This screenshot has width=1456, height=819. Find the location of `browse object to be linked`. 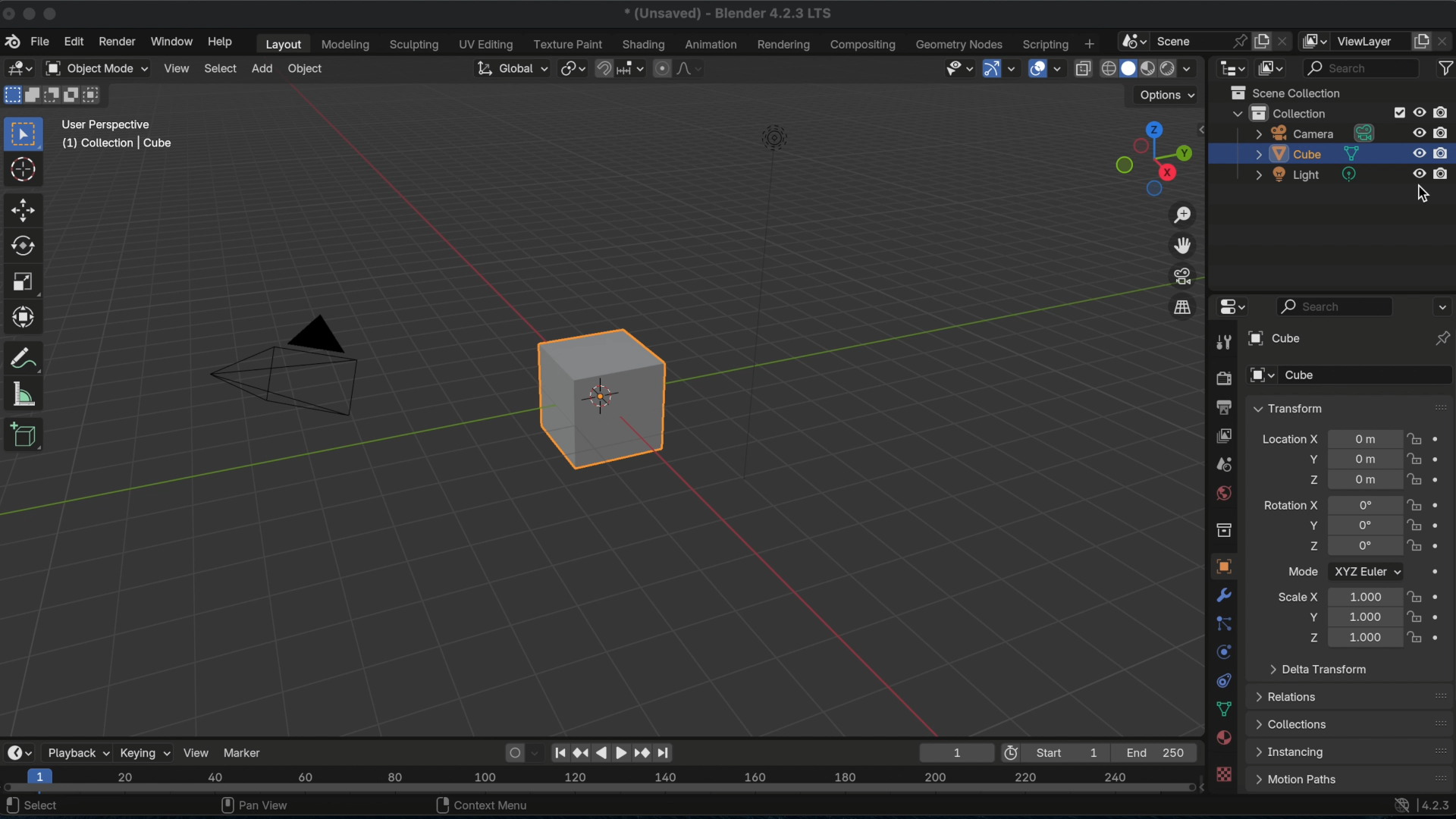

browse object to be linked is located at coordinates (1260, 375).